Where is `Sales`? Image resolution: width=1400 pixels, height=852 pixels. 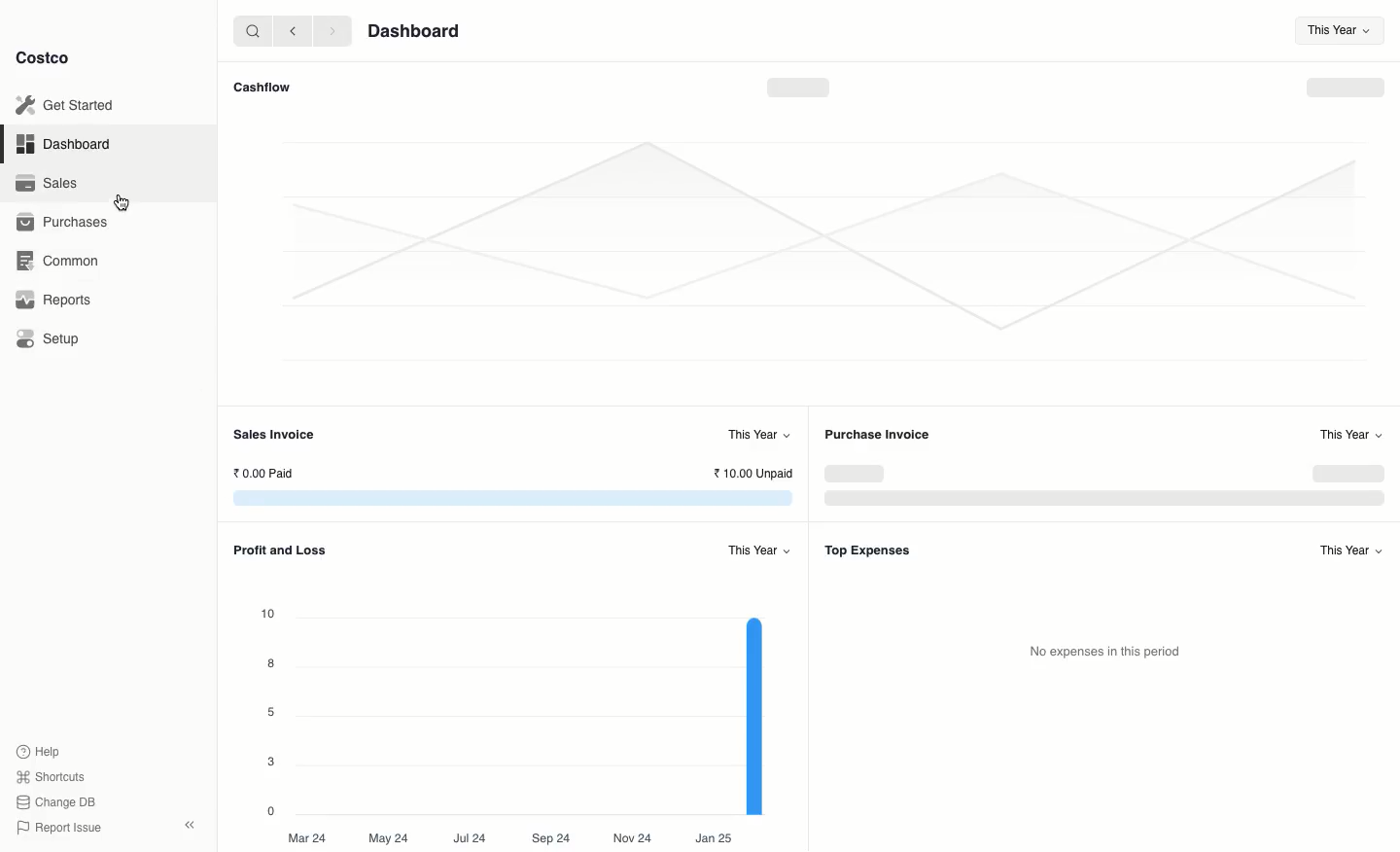
Sales is located at coordinates (48, 184).